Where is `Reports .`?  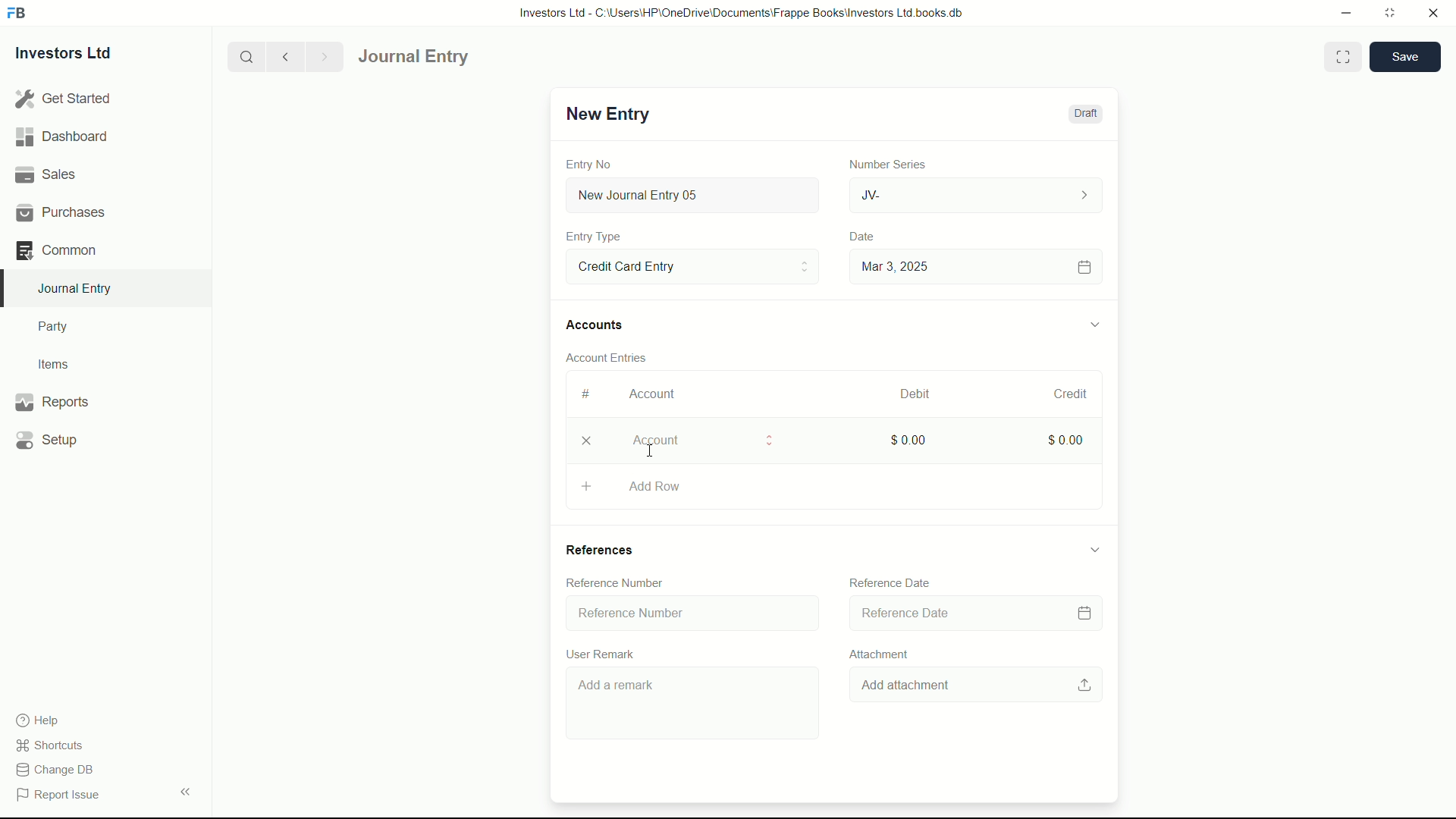
Reports . is located at coordinates (52, 400).